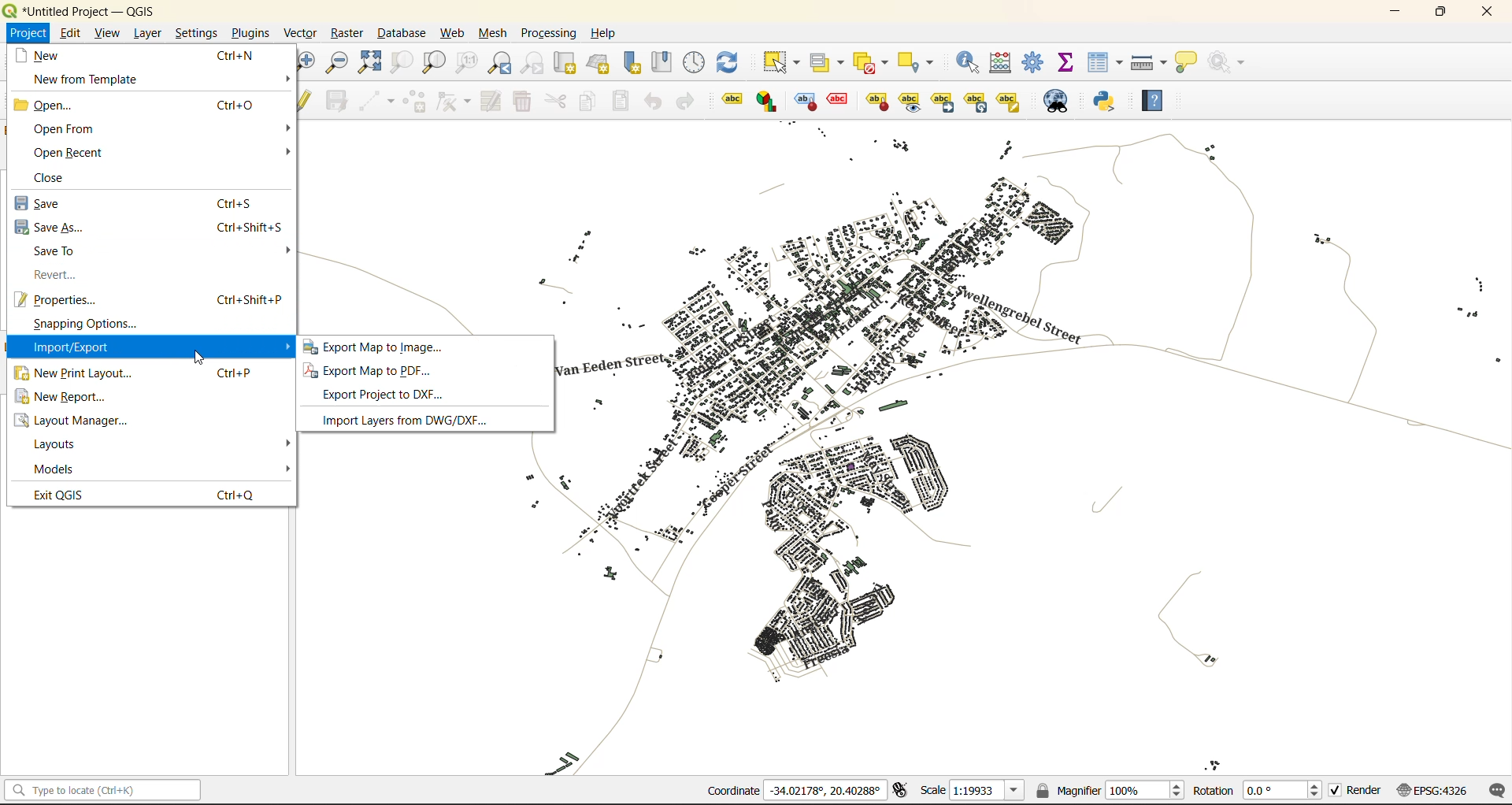 This screenshot has width=1512, height=805. I want to click on help, so click(606, 33).